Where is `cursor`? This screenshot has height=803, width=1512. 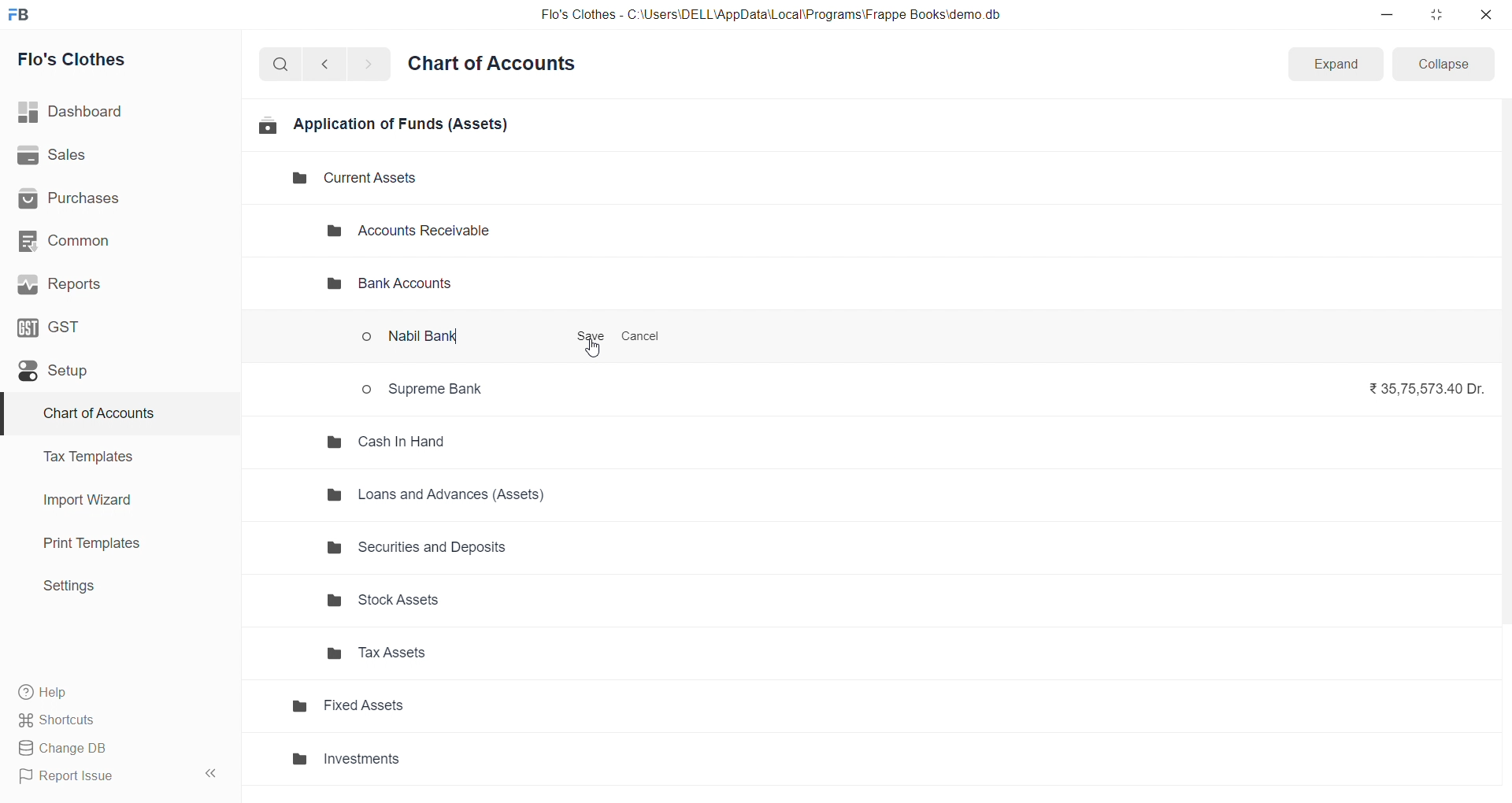 cursor is located at coordinates (599, 349).